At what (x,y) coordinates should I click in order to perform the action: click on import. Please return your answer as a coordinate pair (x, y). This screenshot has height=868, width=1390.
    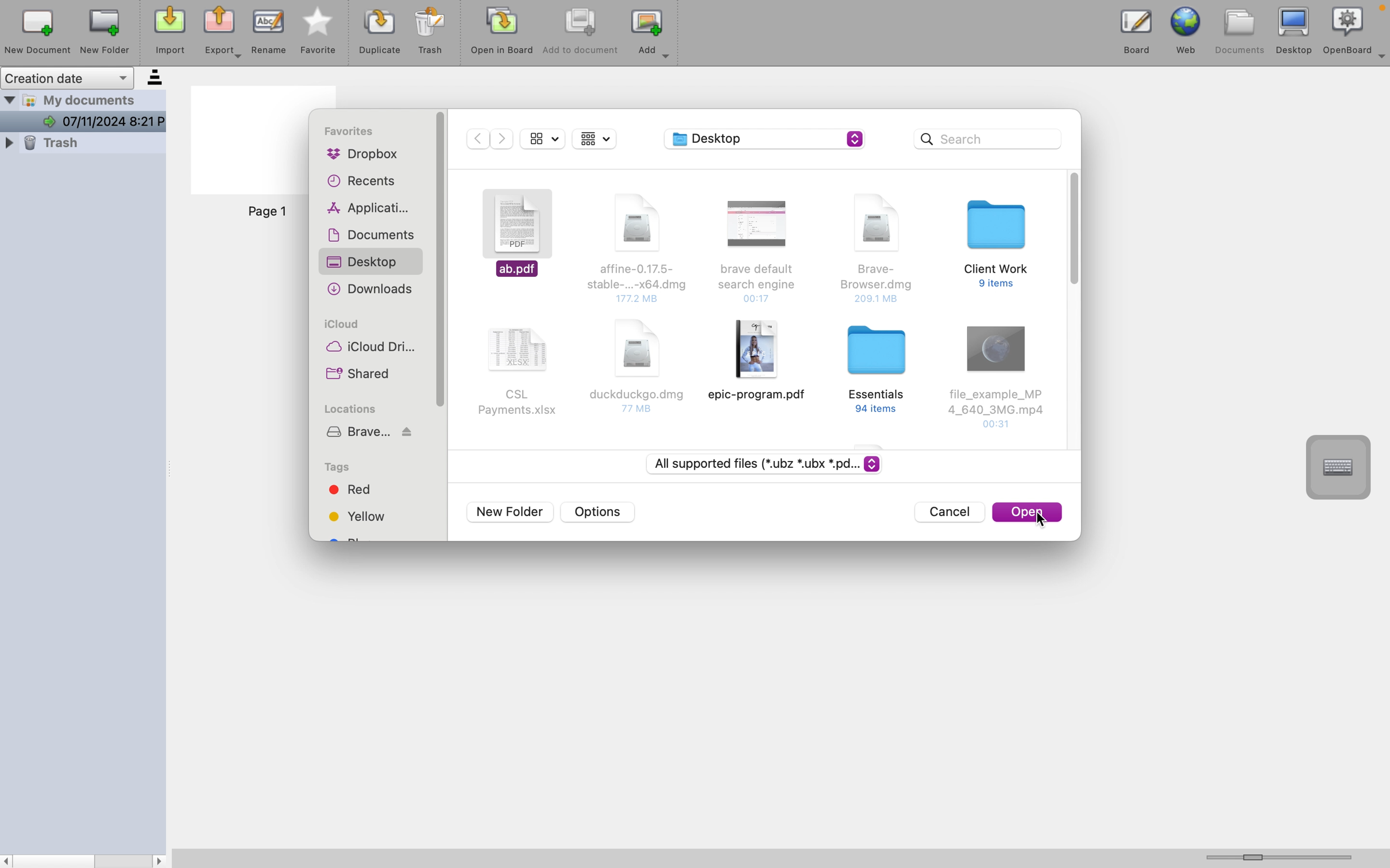
    Looking at the image, I should click on (167, 32).